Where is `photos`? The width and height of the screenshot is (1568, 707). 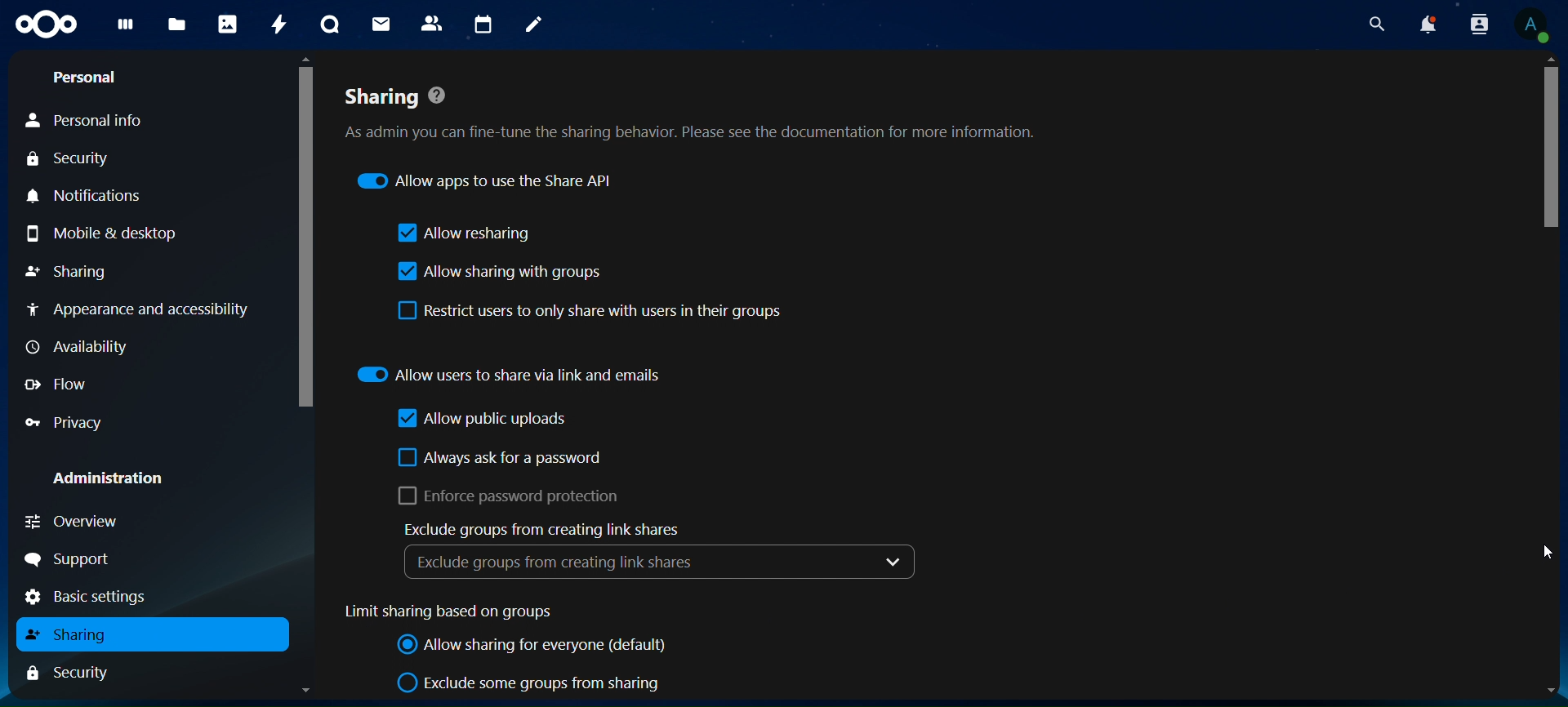
photos is located at coordinates (225, 23).